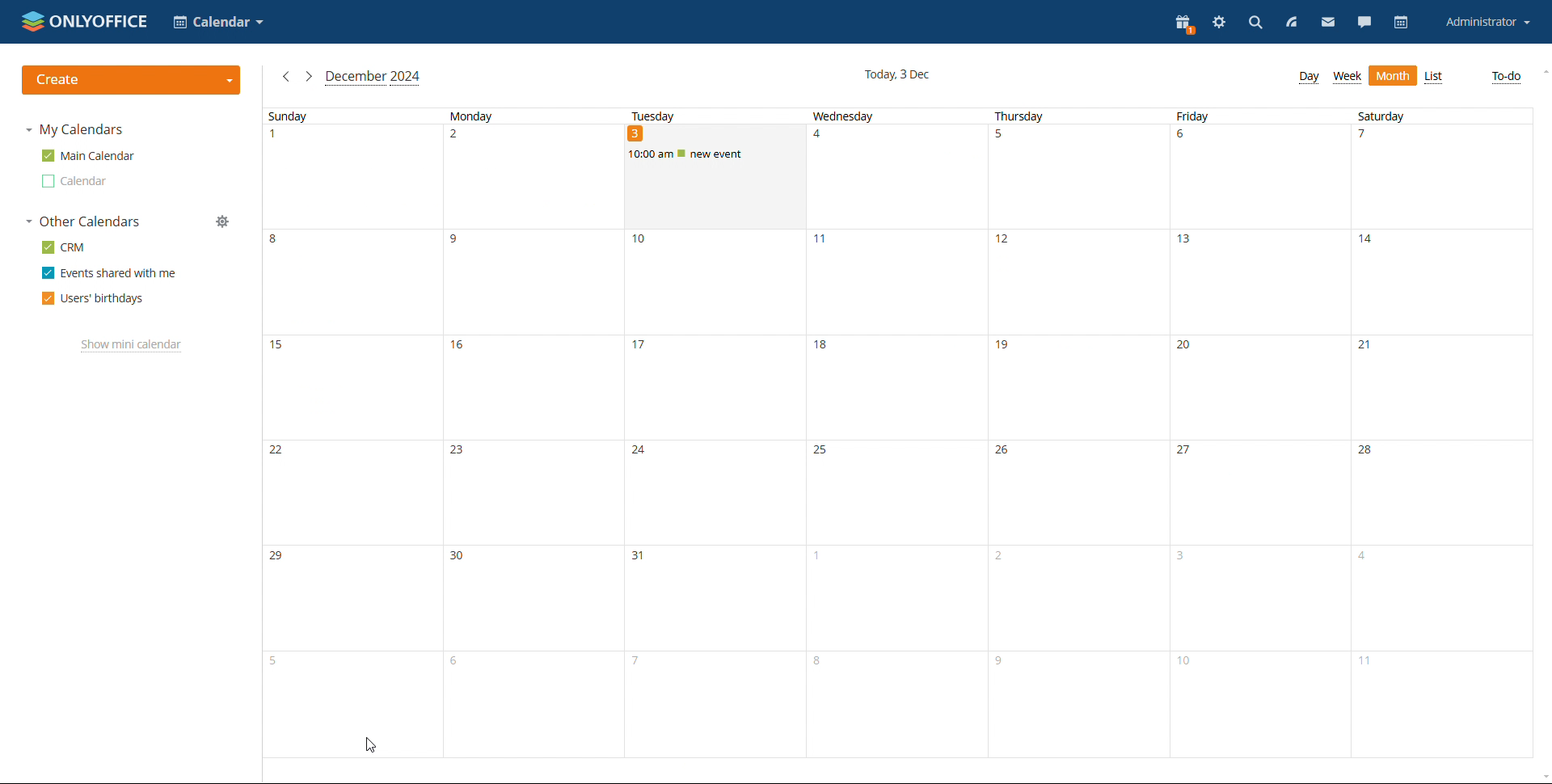 The image size is (1552, 784). What do you see at coordinates (351, 177) in the screenshot?
I see `1` at bounding box center [351, 177].